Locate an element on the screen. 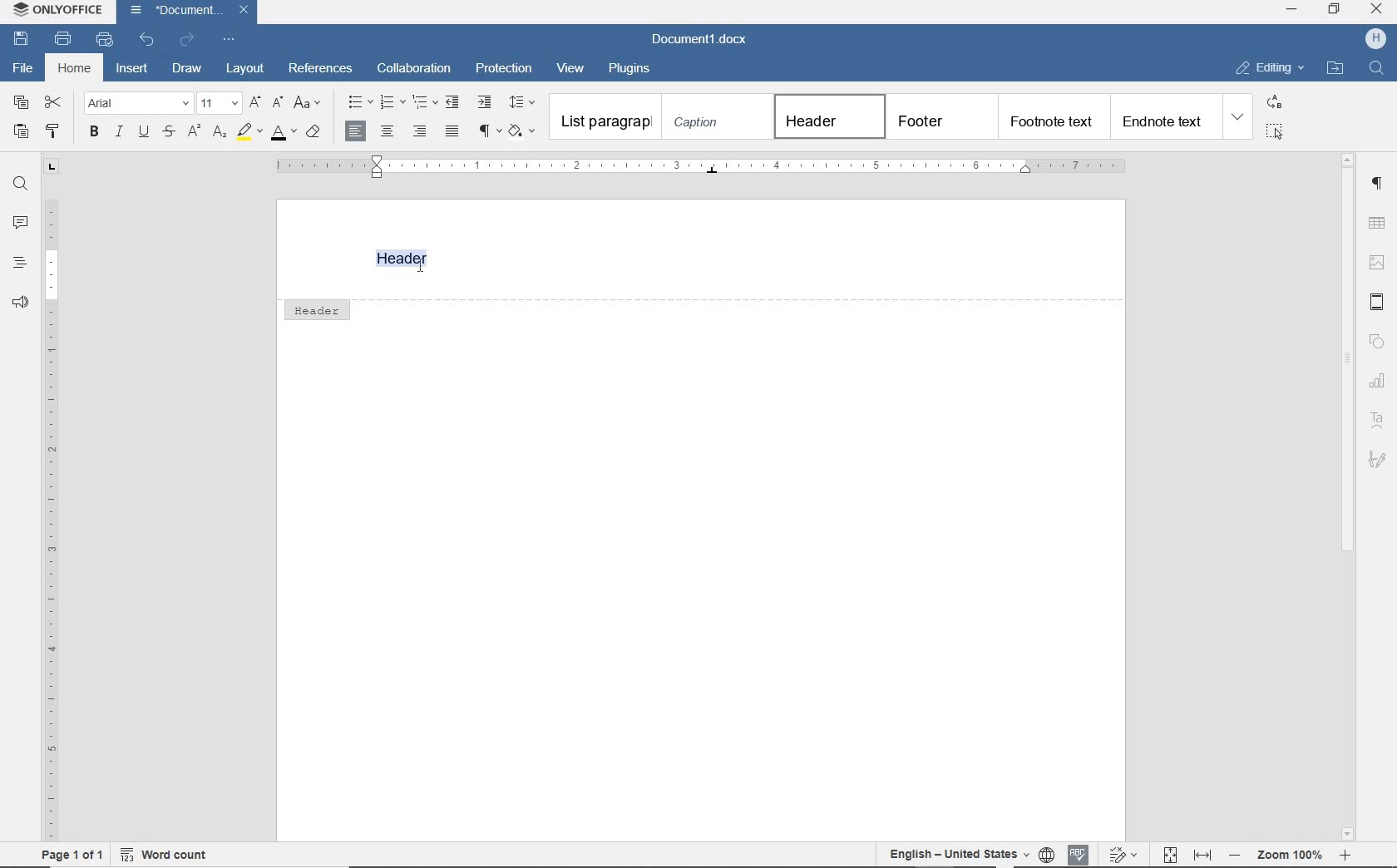 Image resolution: width=1397 pixels, height=868 pixels. Heading2 is located at coordinates (940, 116).